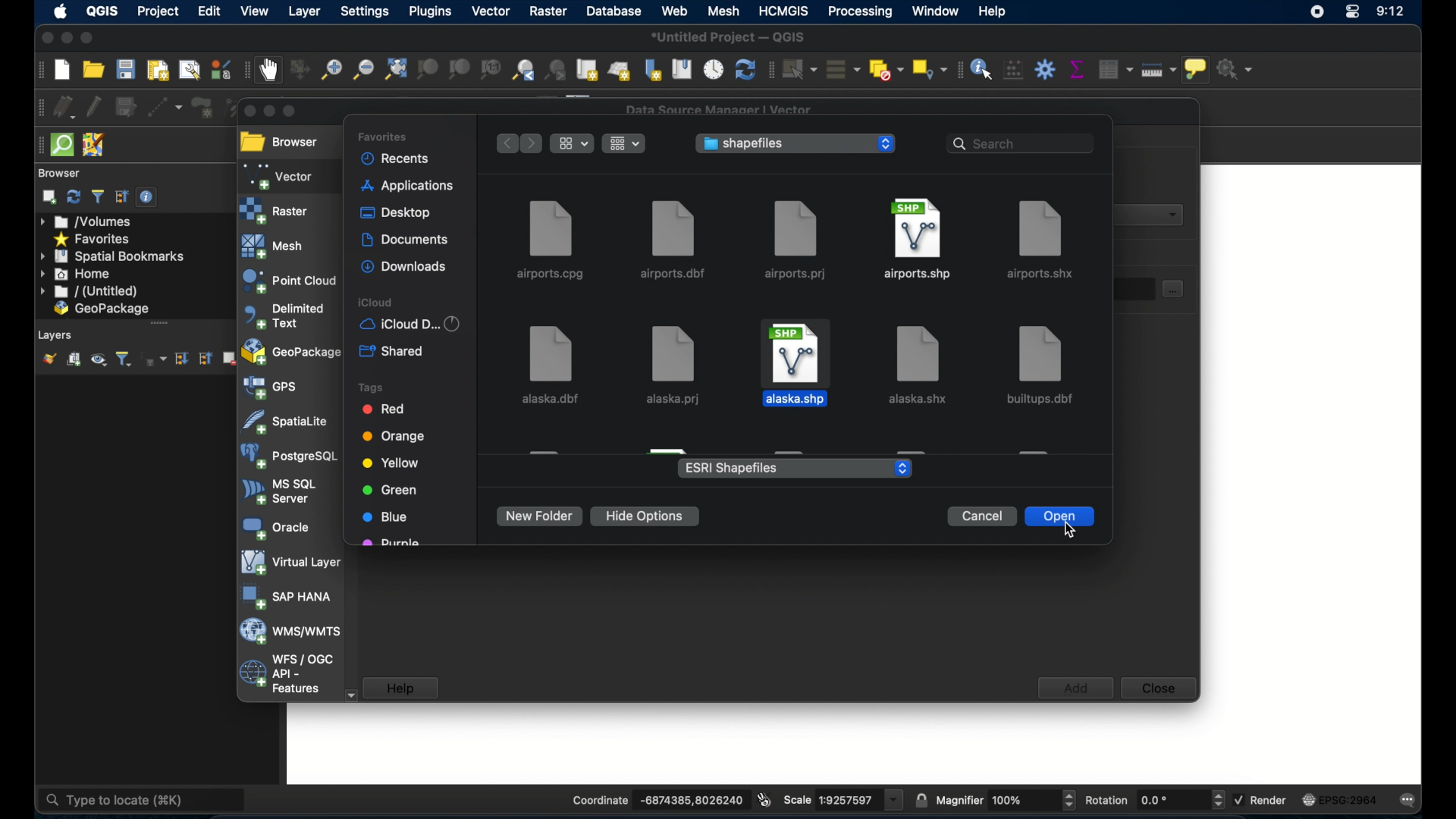  I want to click on spatial bookmarks, so click(113, 256).